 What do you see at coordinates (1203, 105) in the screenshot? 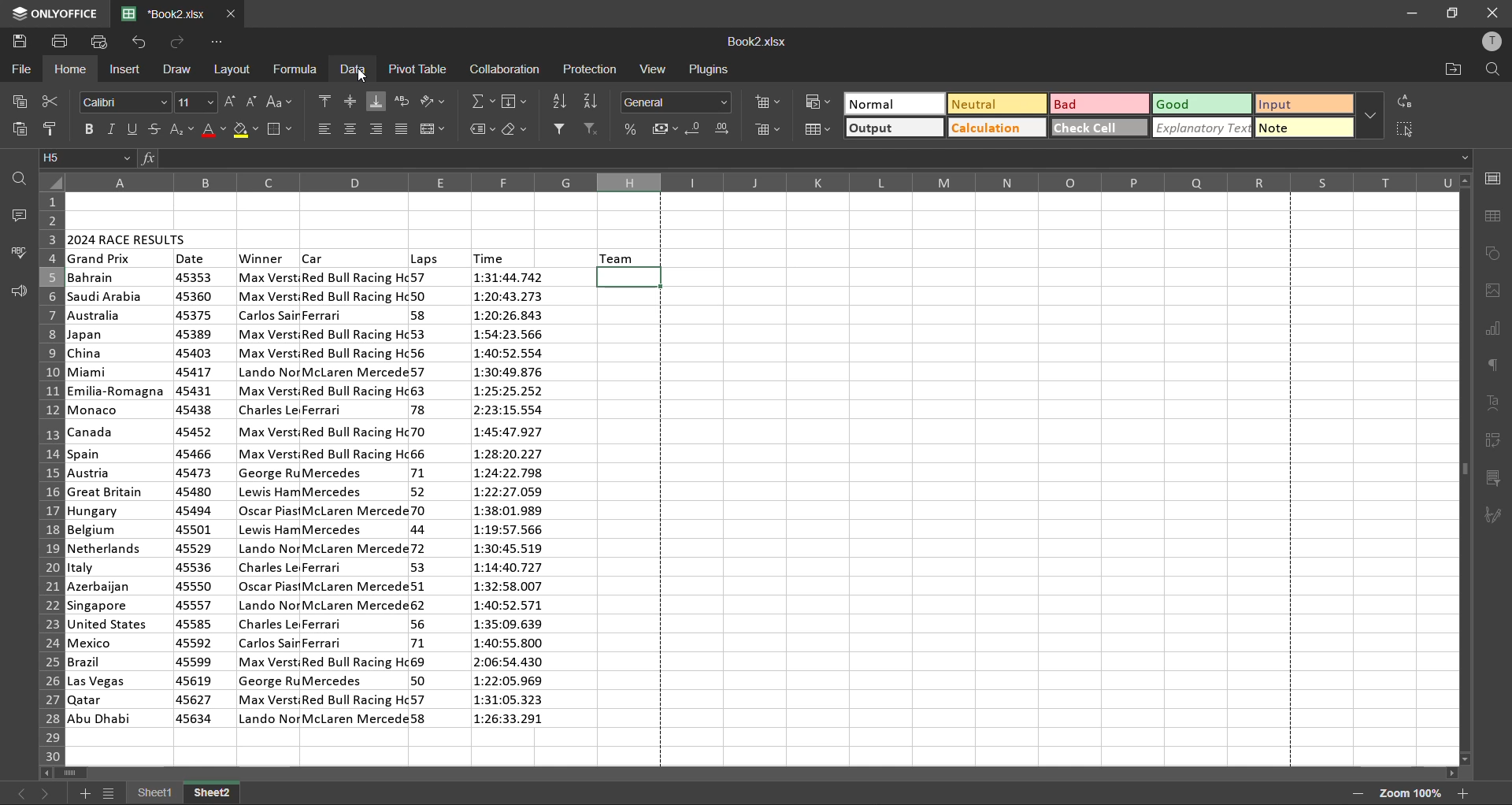
I see `good` at bounding box center [1203, 105].